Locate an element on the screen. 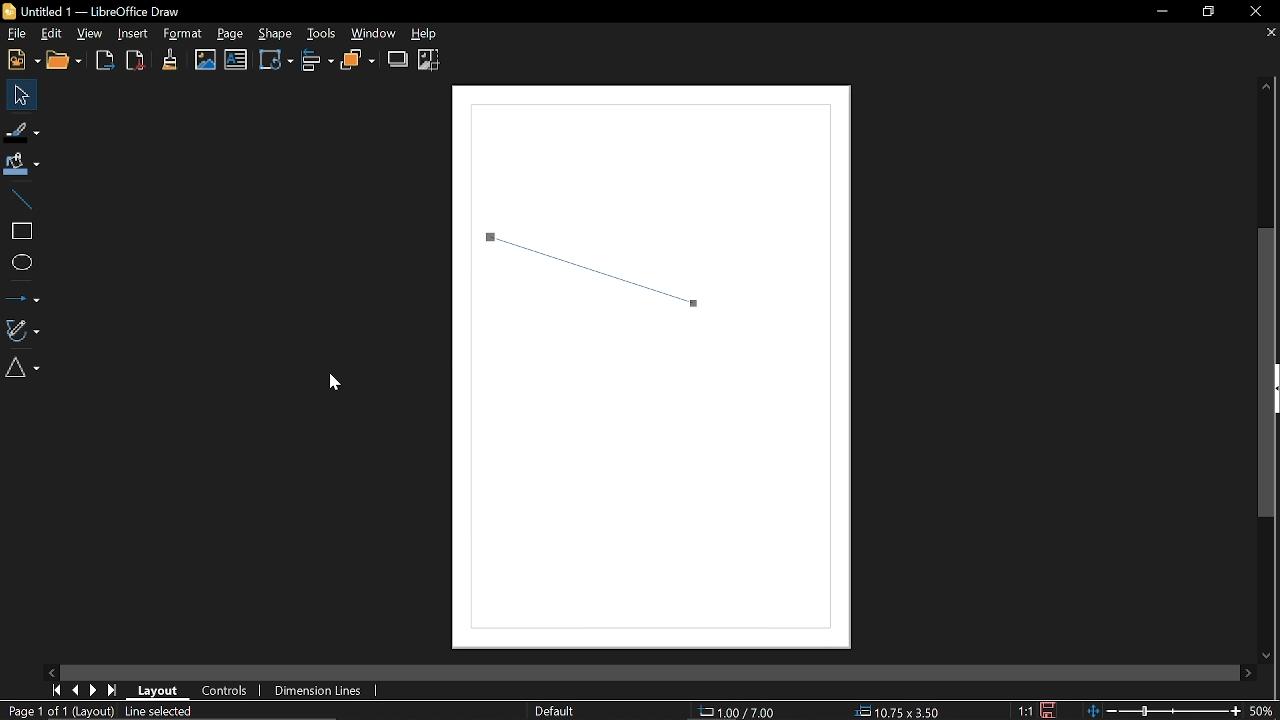 The width and height of the screenshot is (1280, 720). Layout is located at coordinates (162, 690).